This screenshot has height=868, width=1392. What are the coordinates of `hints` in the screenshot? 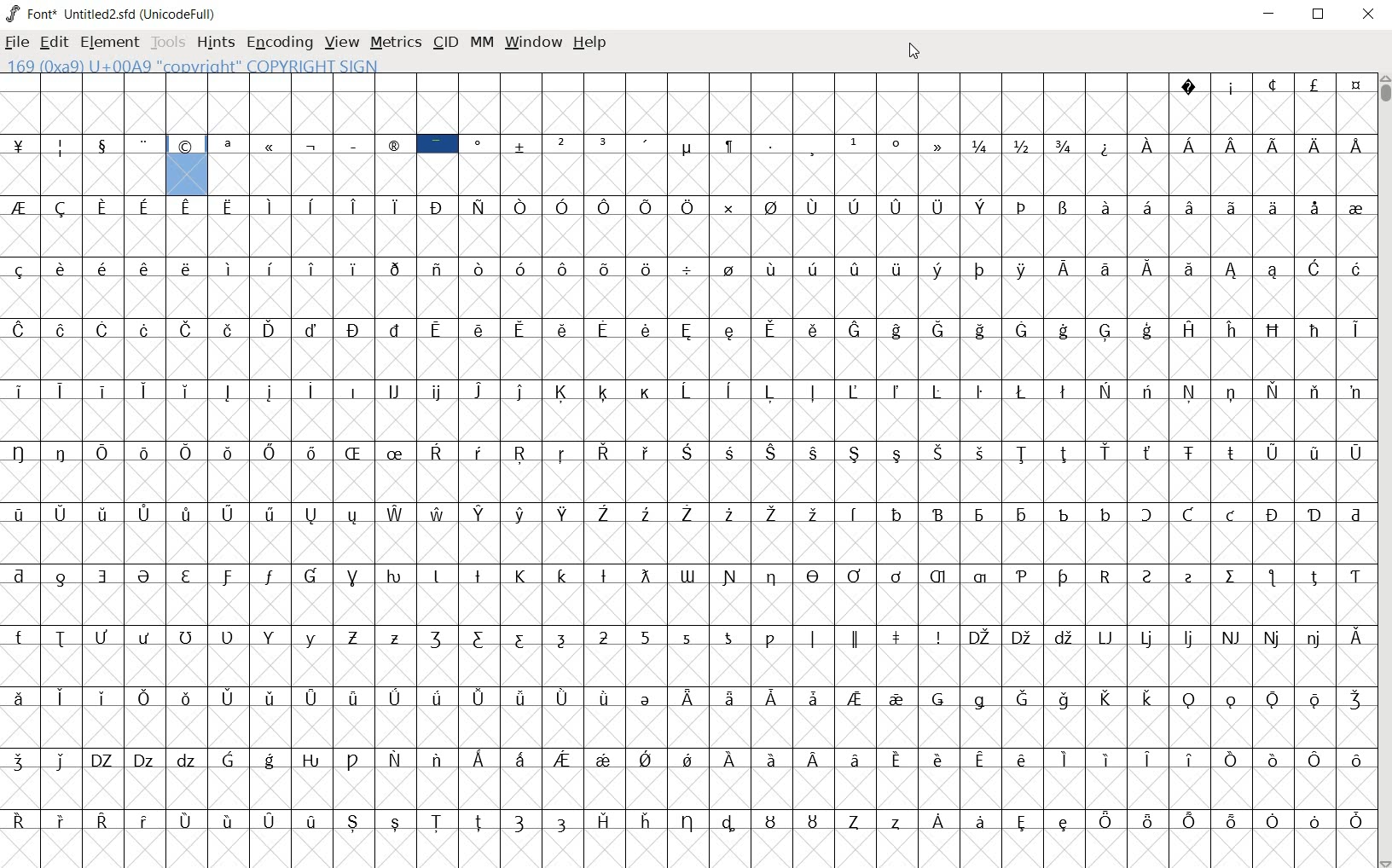 It's located at (214, 43).